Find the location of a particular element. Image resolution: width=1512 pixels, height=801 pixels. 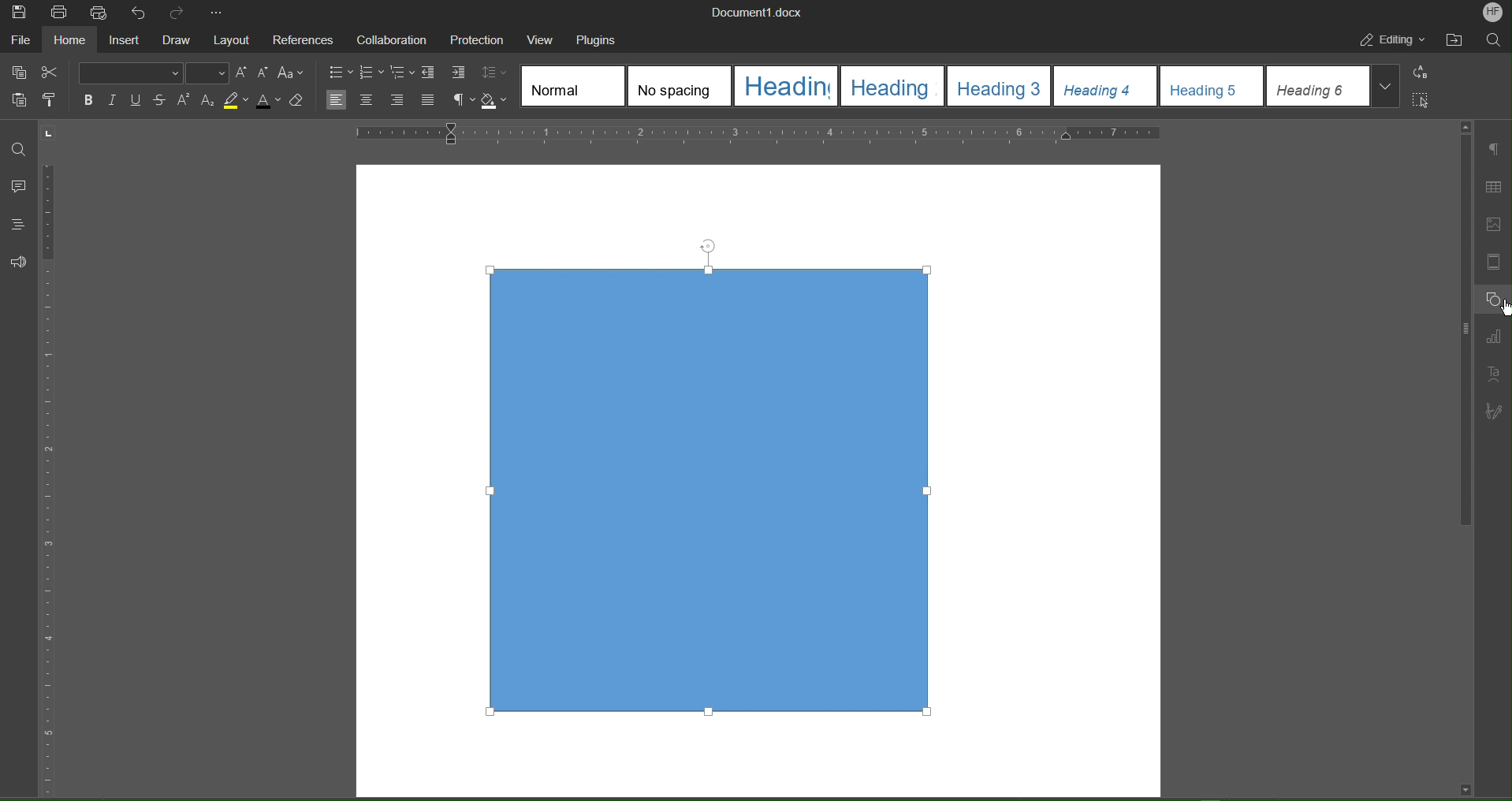

Quick Print is located at coordinates (99, 13).